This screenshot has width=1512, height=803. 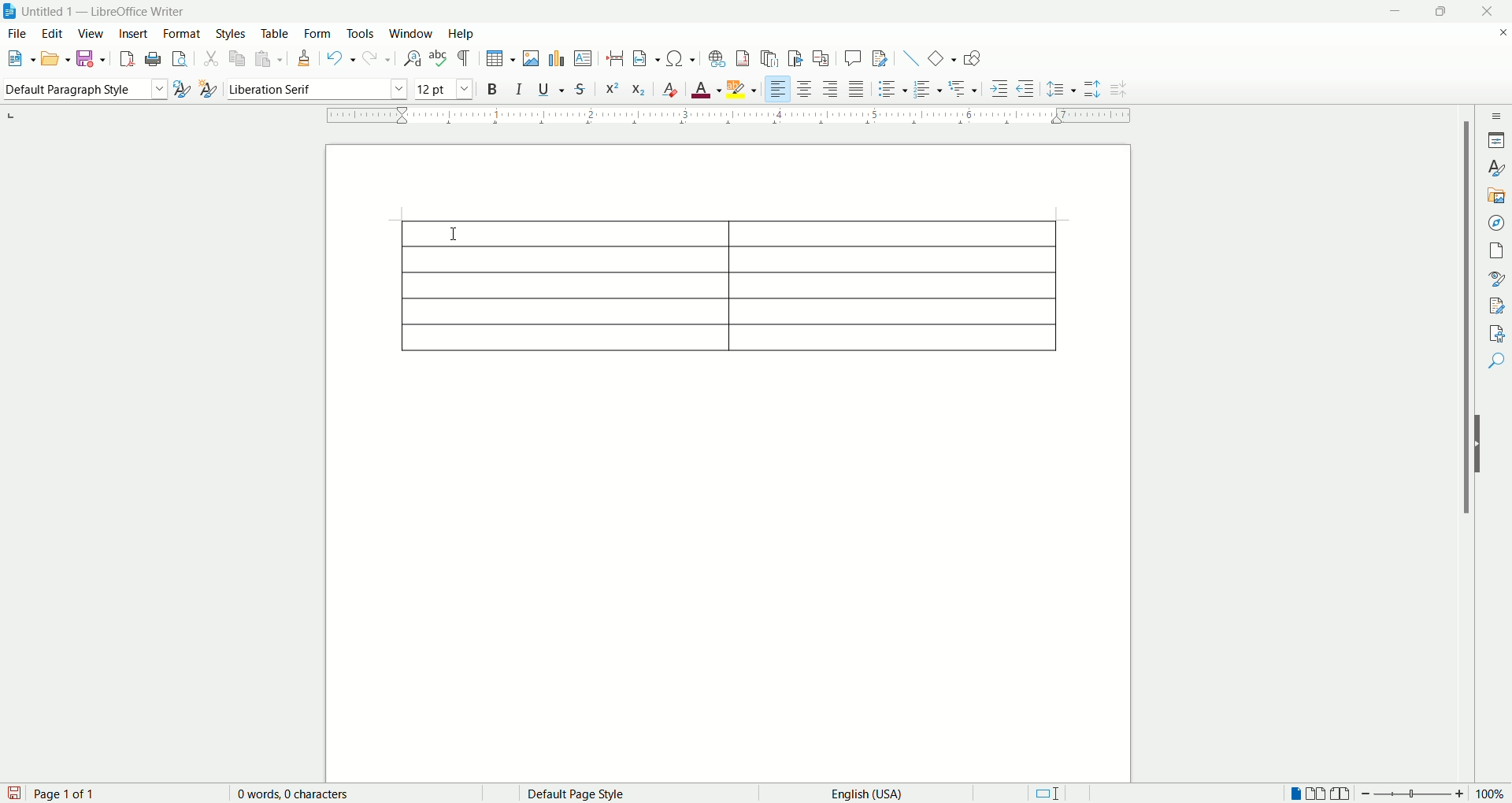 What do you see at coordinates (729, 117) in the screenshot?
I see `border` at bounding box center [729, 117].